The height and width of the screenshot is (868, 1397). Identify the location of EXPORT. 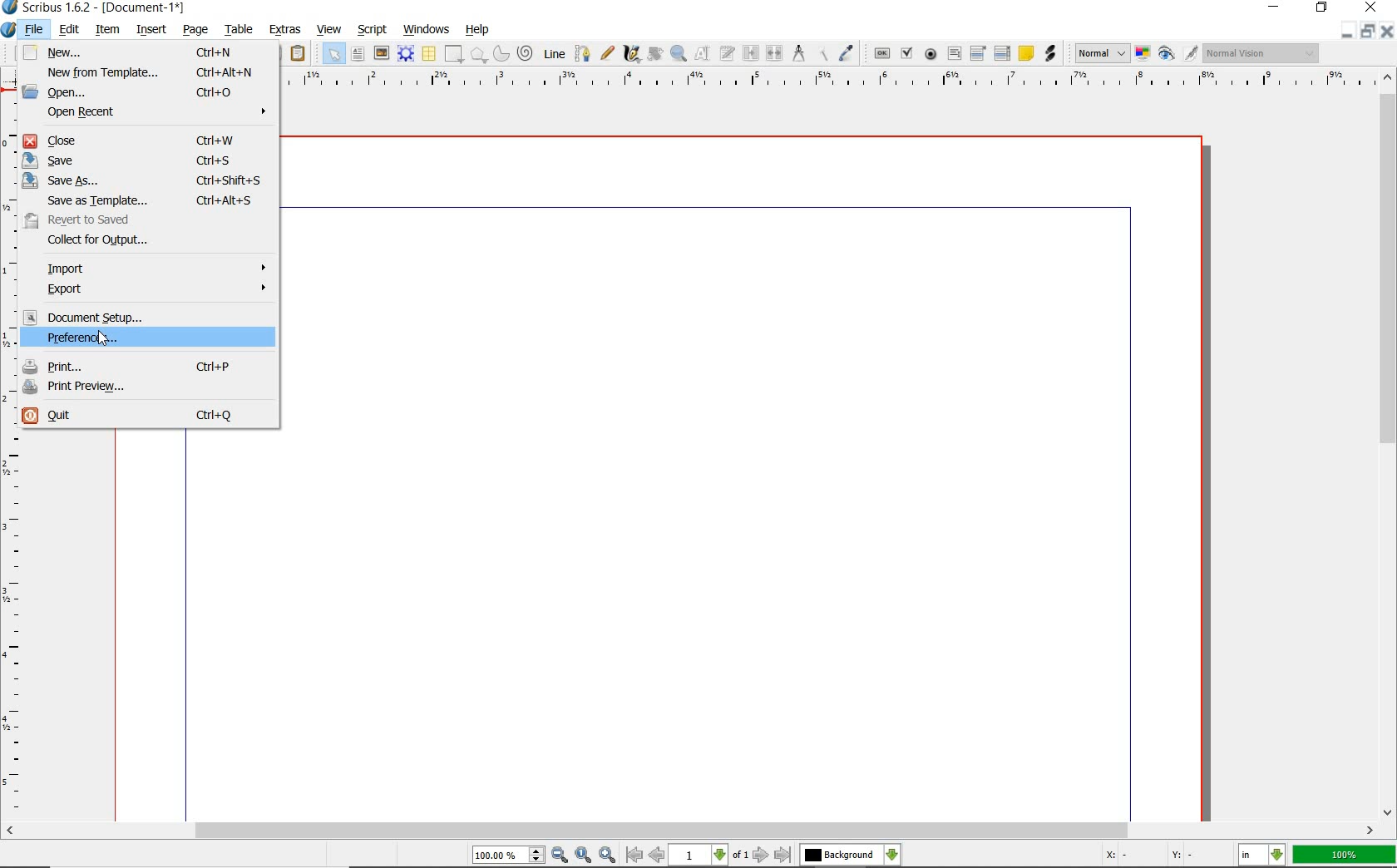
(152, 291).